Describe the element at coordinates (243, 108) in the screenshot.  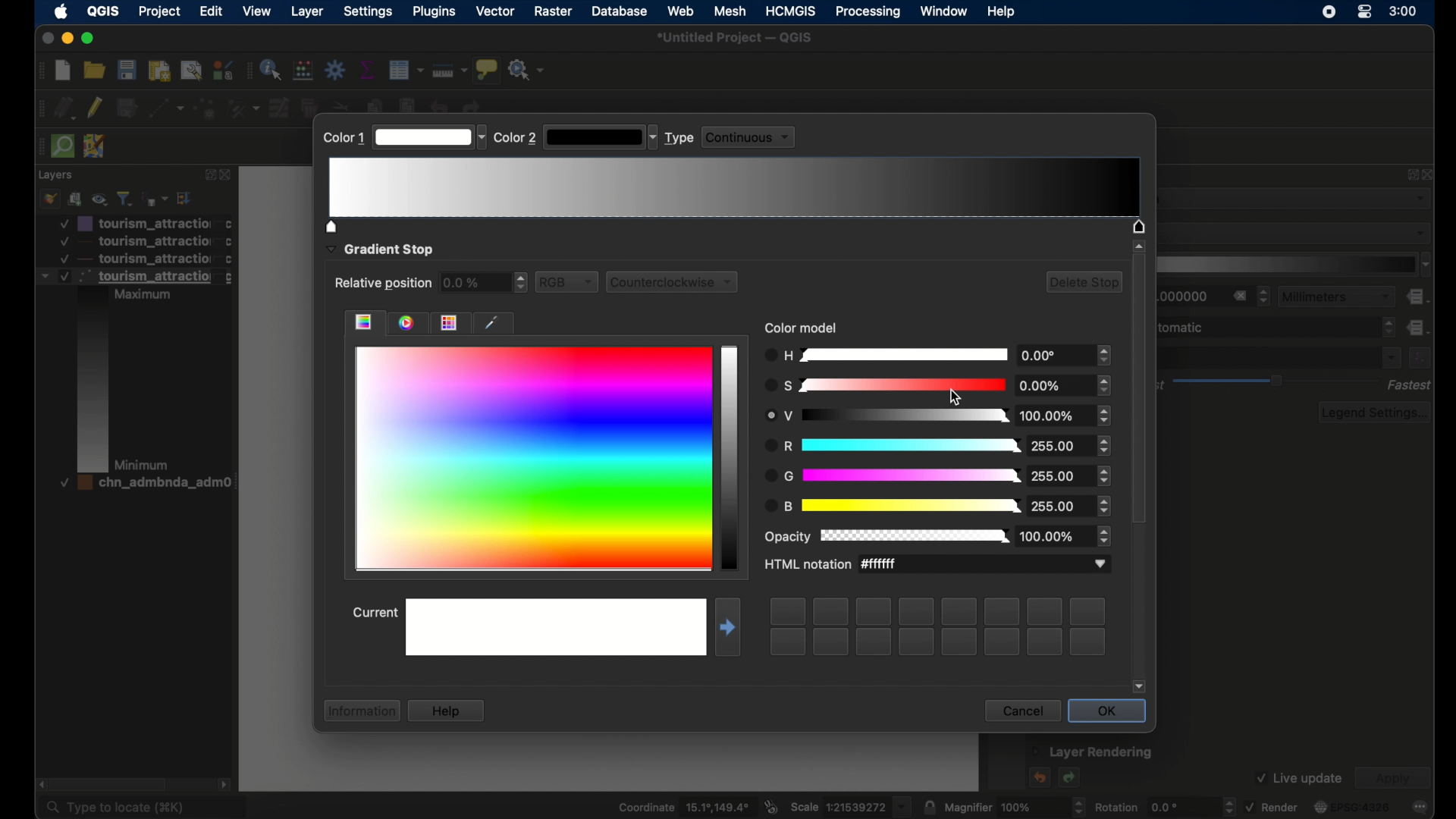
I see `vertex tool` at that location.